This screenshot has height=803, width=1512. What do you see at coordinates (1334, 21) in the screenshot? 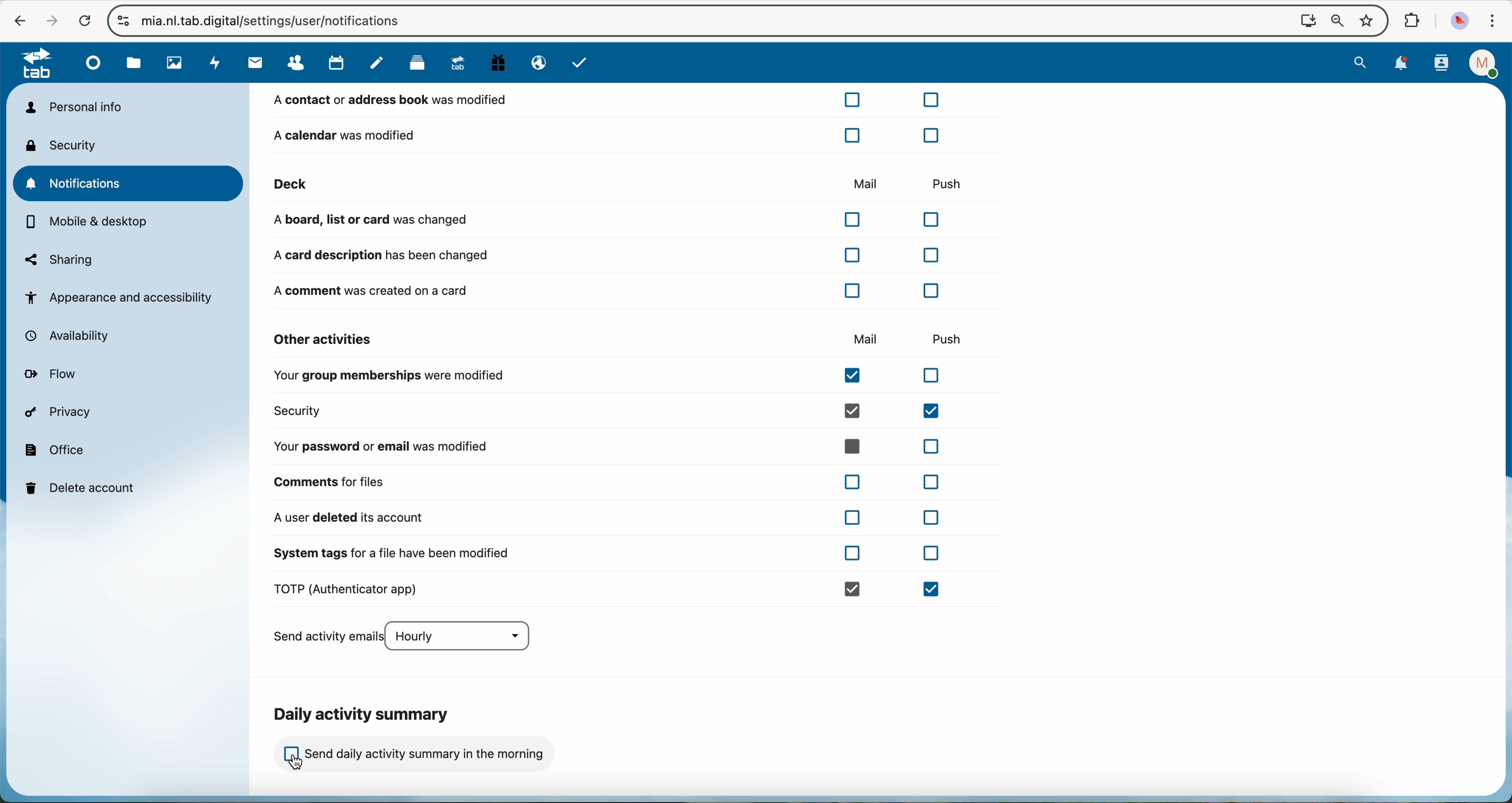
I see `zoom out` at bounding box center [1334, 21].